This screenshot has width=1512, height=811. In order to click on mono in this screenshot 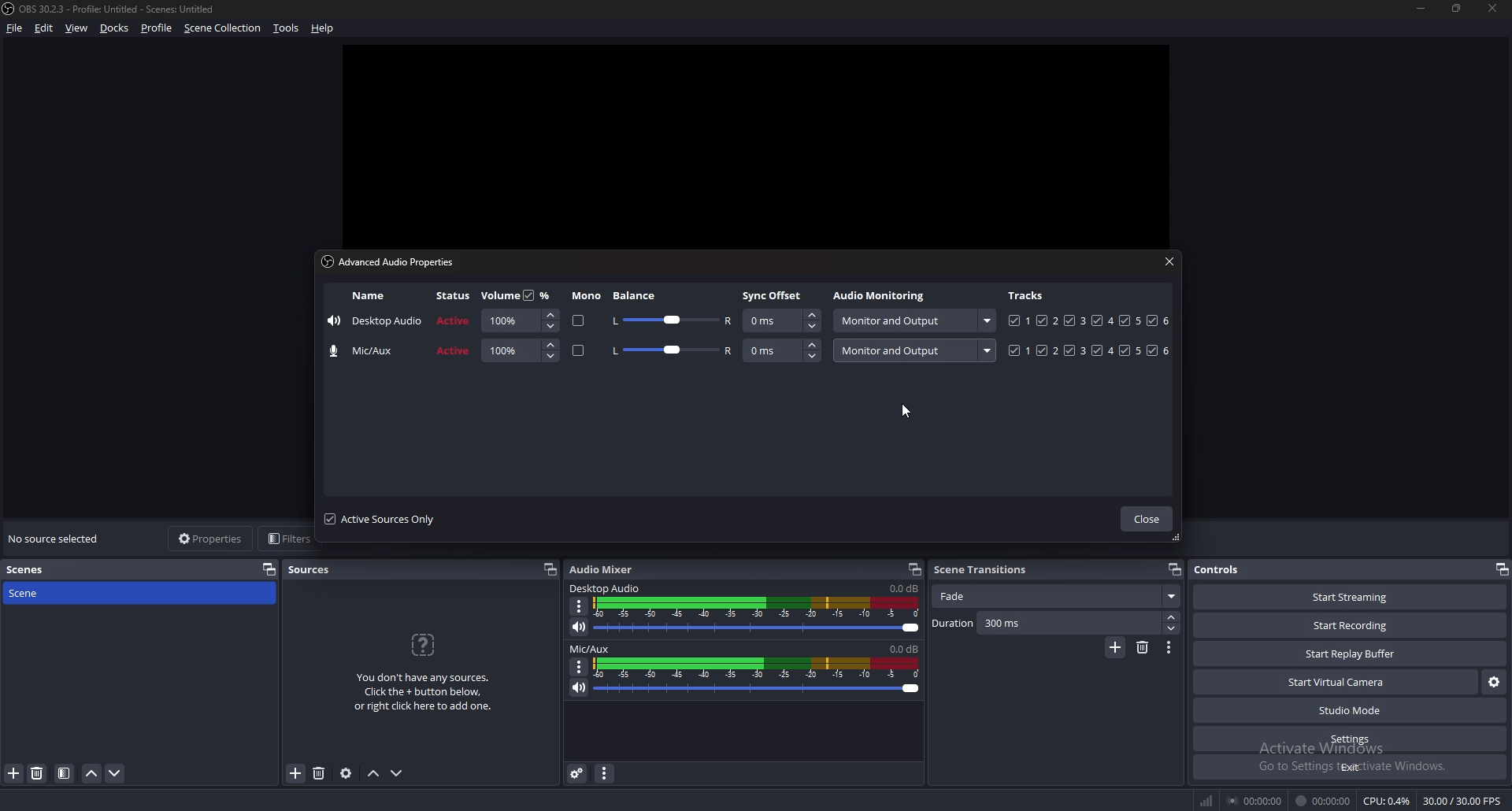, I will do `click(579, 320)`.